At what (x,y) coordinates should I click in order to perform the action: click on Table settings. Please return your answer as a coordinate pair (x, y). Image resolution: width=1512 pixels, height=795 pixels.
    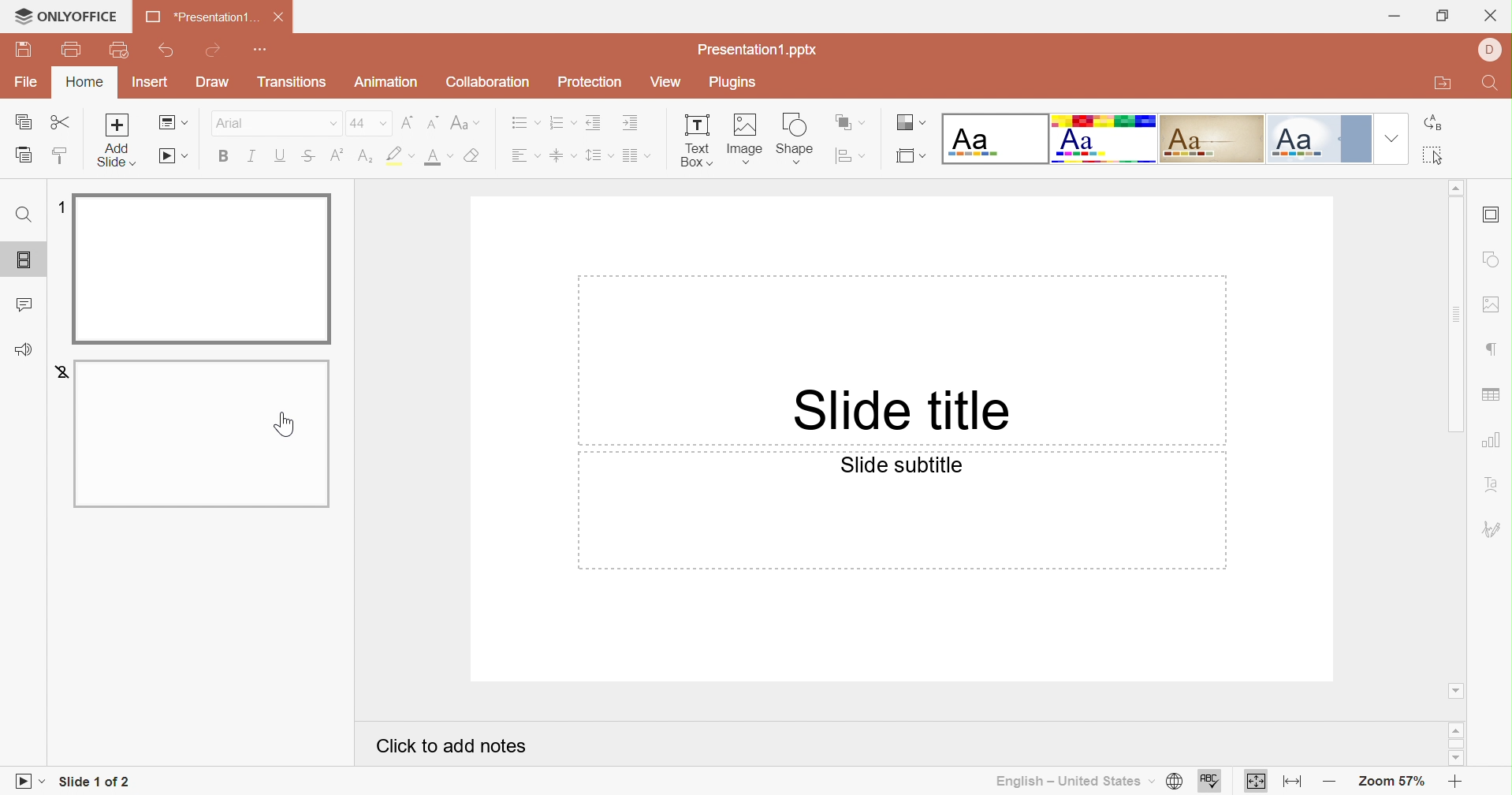
    Looking at the image, I should click on (1493, 395).